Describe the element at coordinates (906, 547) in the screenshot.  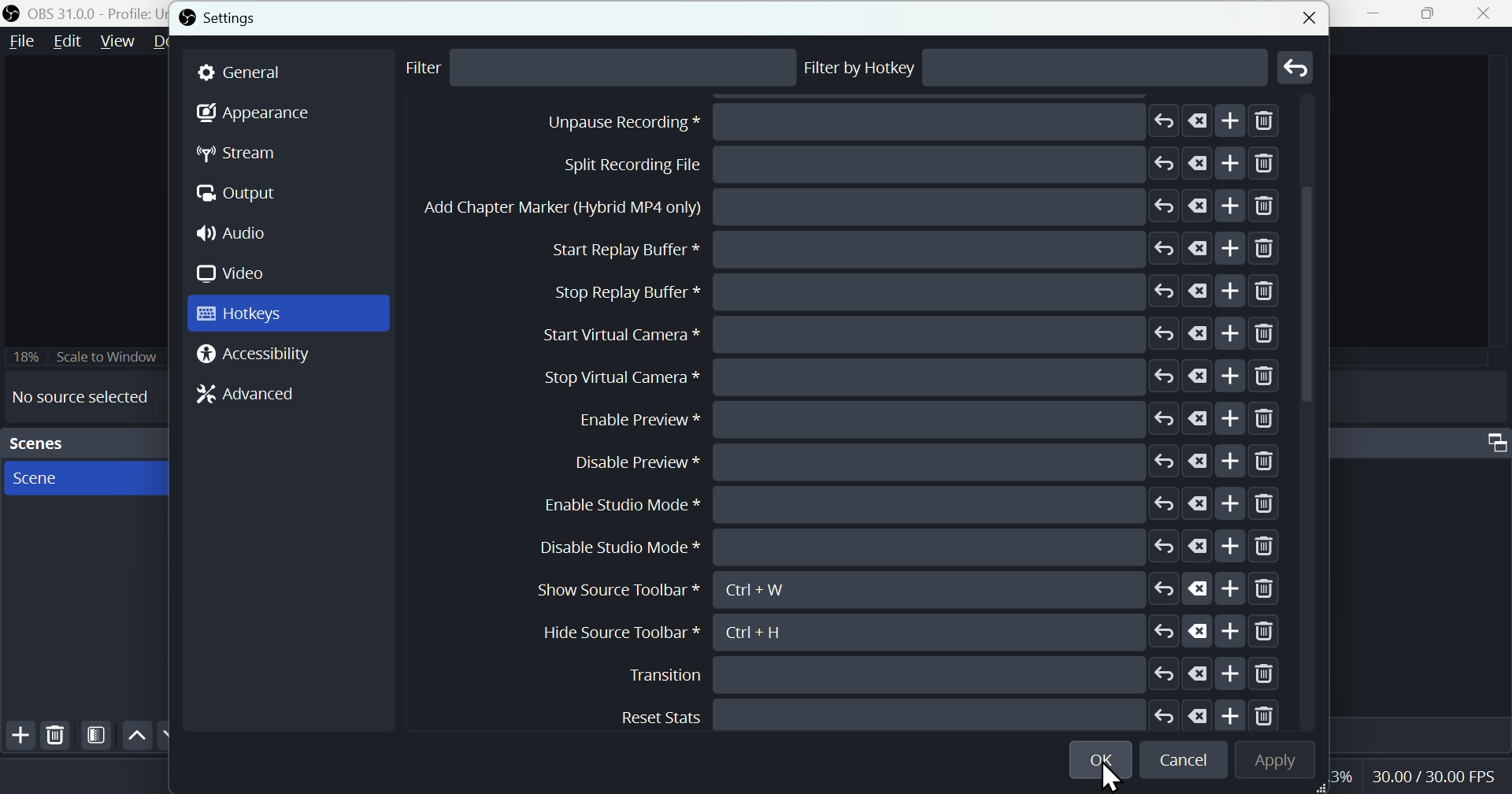
I see `stop Virtual camera` at that location.